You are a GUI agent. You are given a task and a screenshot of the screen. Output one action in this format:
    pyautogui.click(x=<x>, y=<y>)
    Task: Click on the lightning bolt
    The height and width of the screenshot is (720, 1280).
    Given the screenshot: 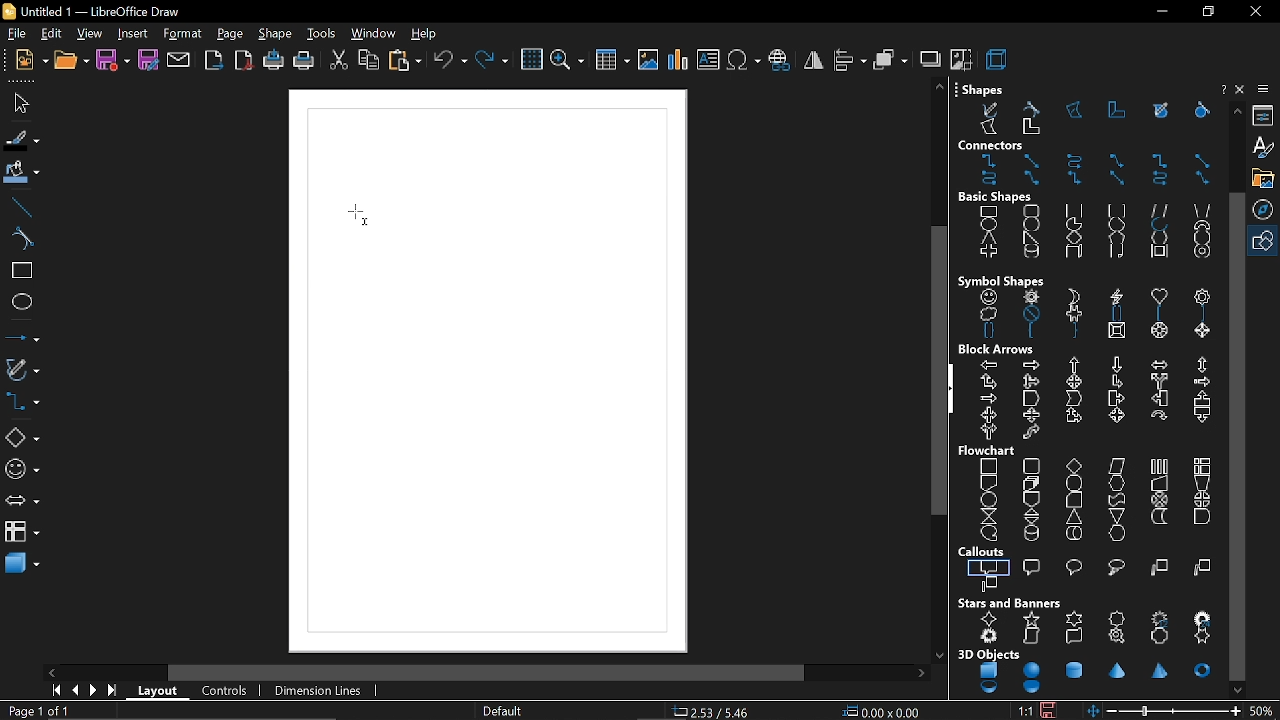 What is the action you would take?
    pyautogui.click(x=1113, y=298)
    